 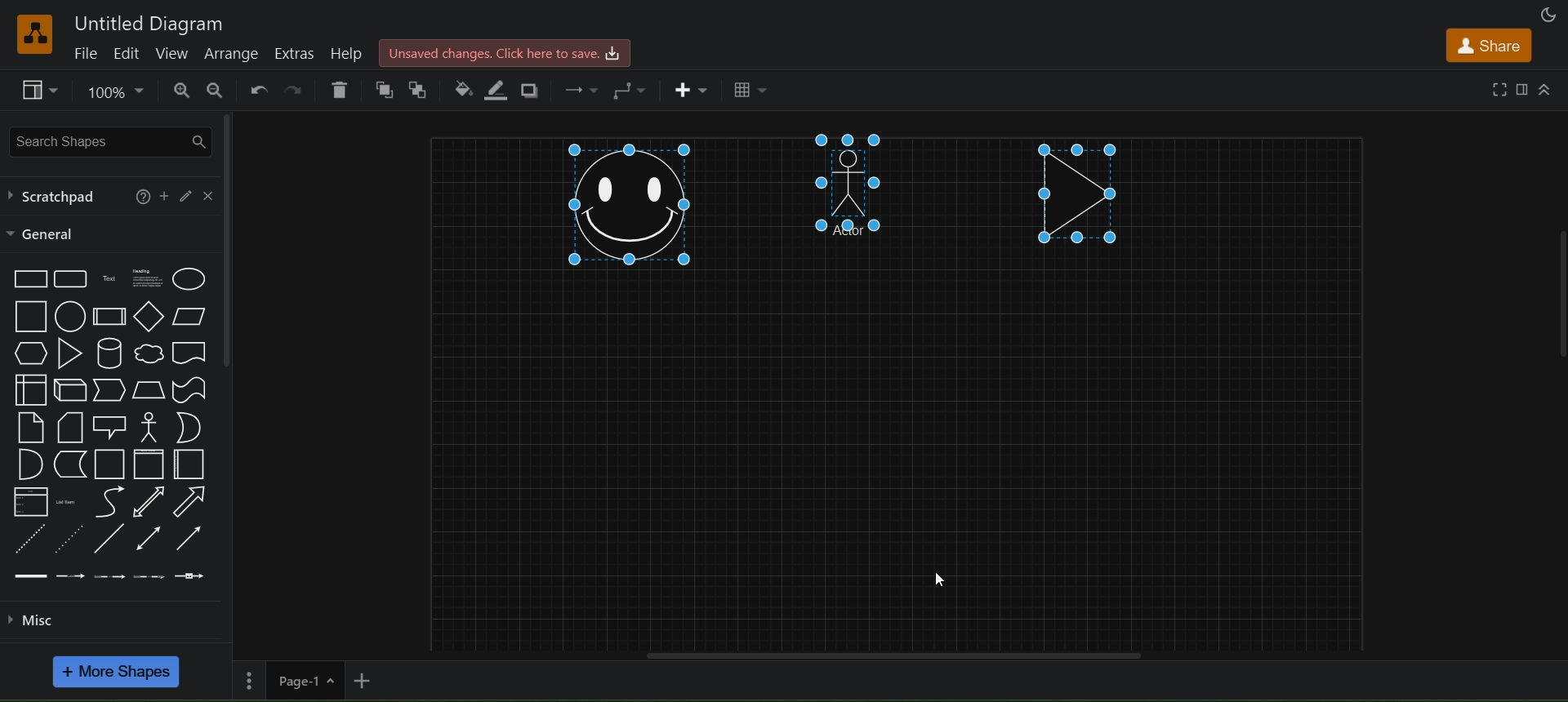 I want to click on format, so click(x=1522, y=88).